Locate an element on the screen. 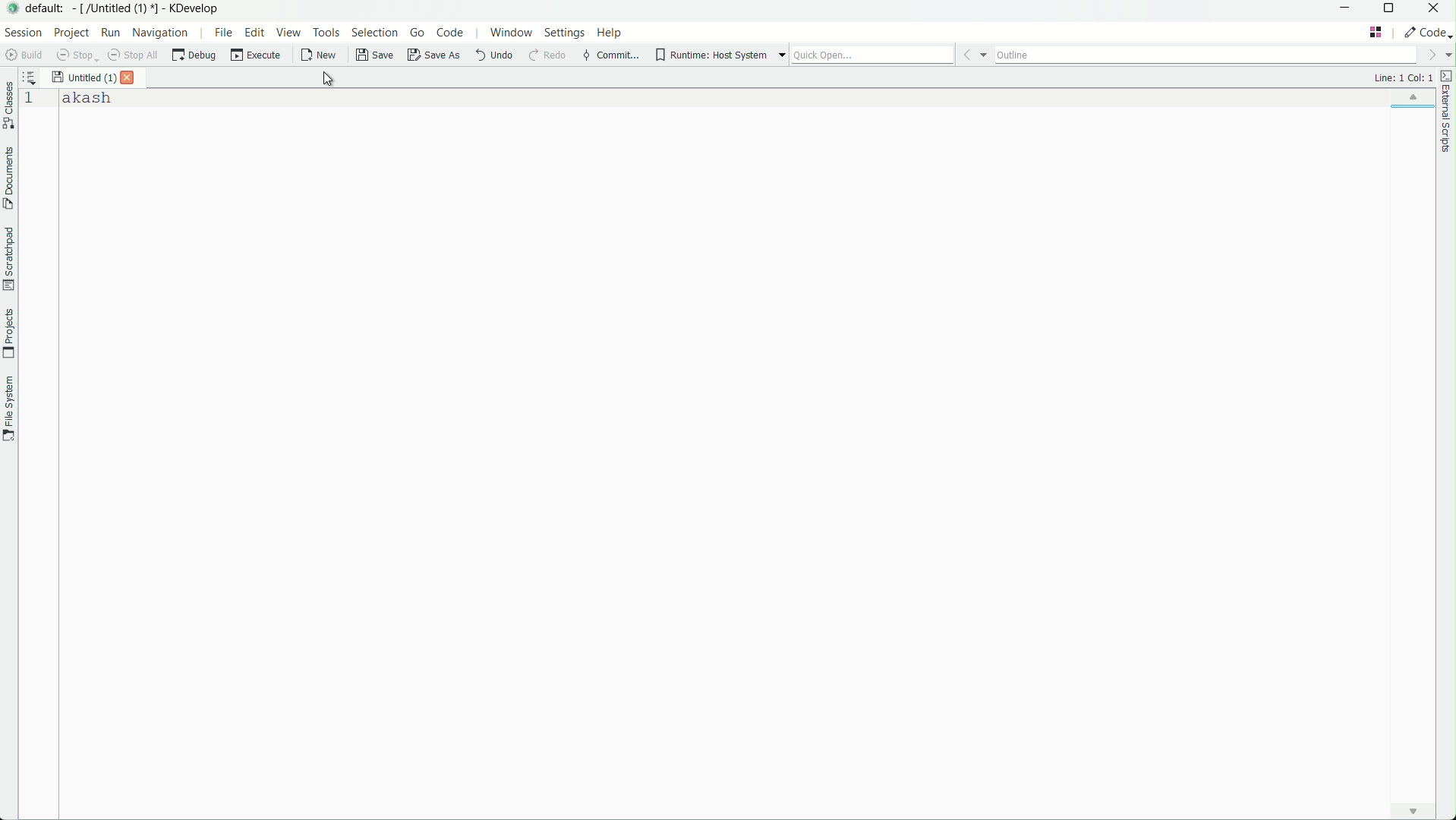 The height and width of the screenshot is (820, 1456). code is located at coordinates (449, 32).